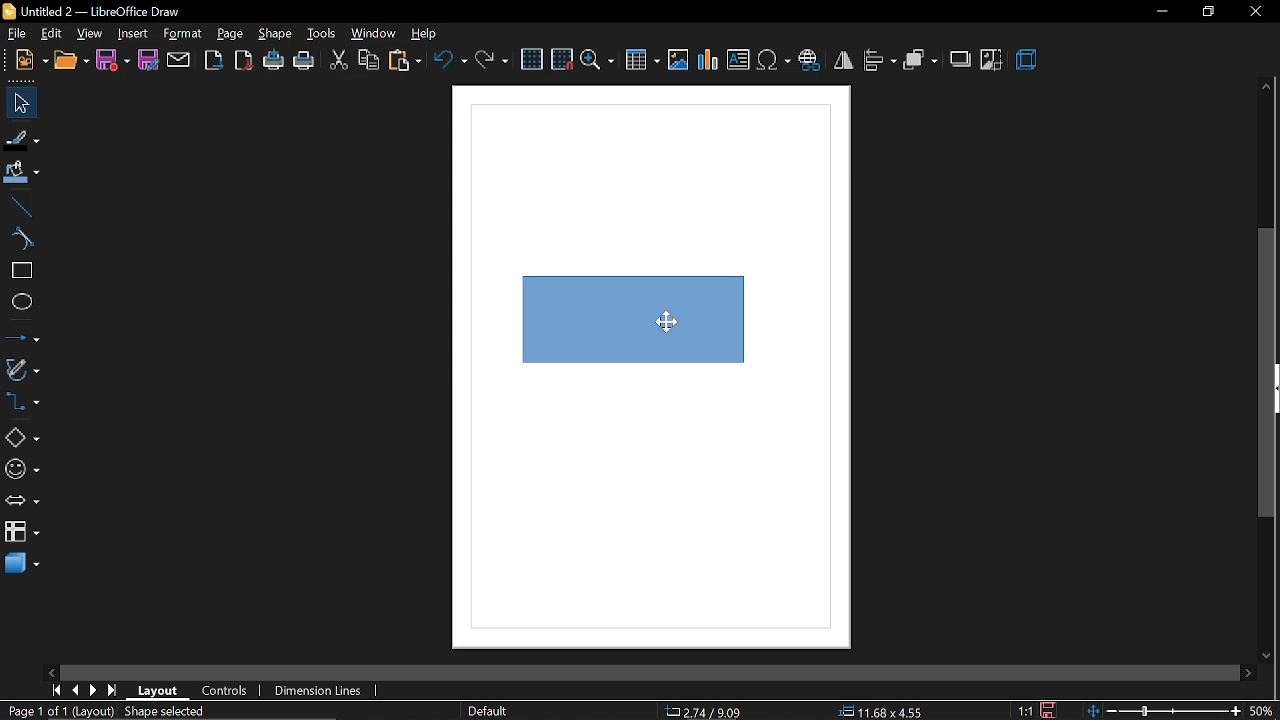  What do you see at coordinates (25, 59) in the screenshot?
I see `new` at bounding box center [25, 59].